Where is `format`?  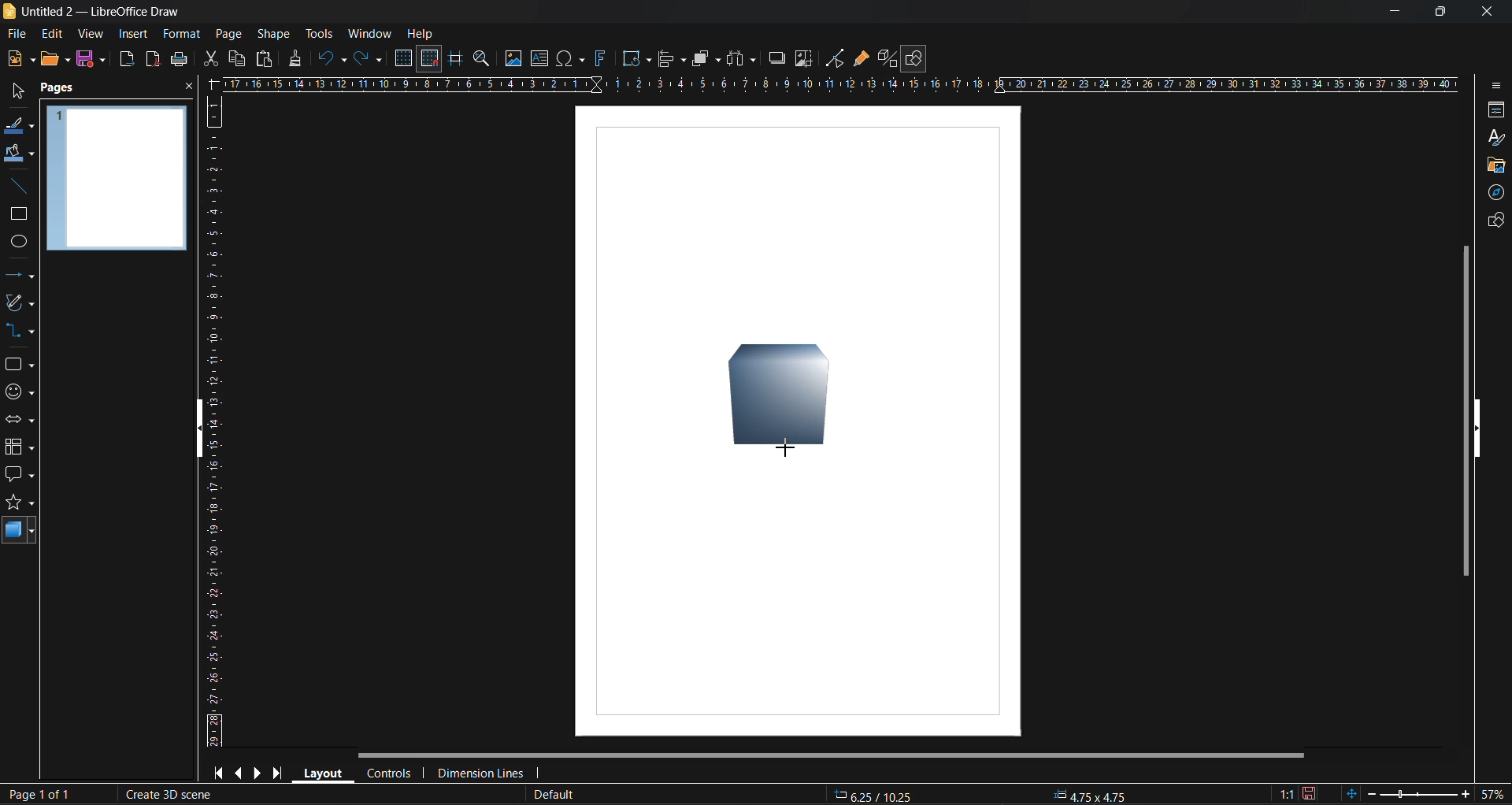
format is located at coordinates (183, 35).